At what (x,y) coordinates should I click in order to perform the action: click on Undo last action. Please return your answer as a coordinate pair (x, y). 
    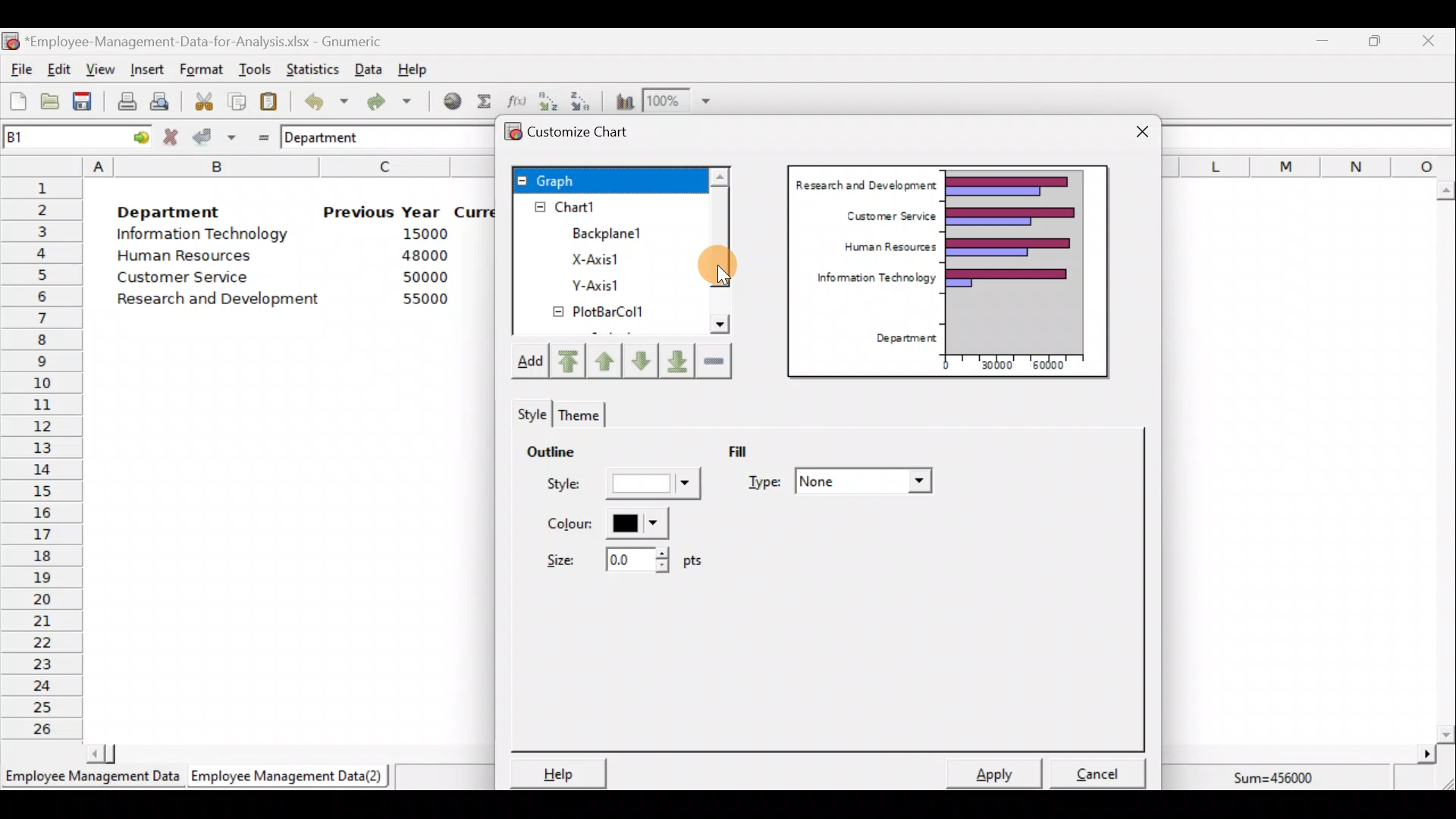
    Looking at the image, I should click on (318, 98).